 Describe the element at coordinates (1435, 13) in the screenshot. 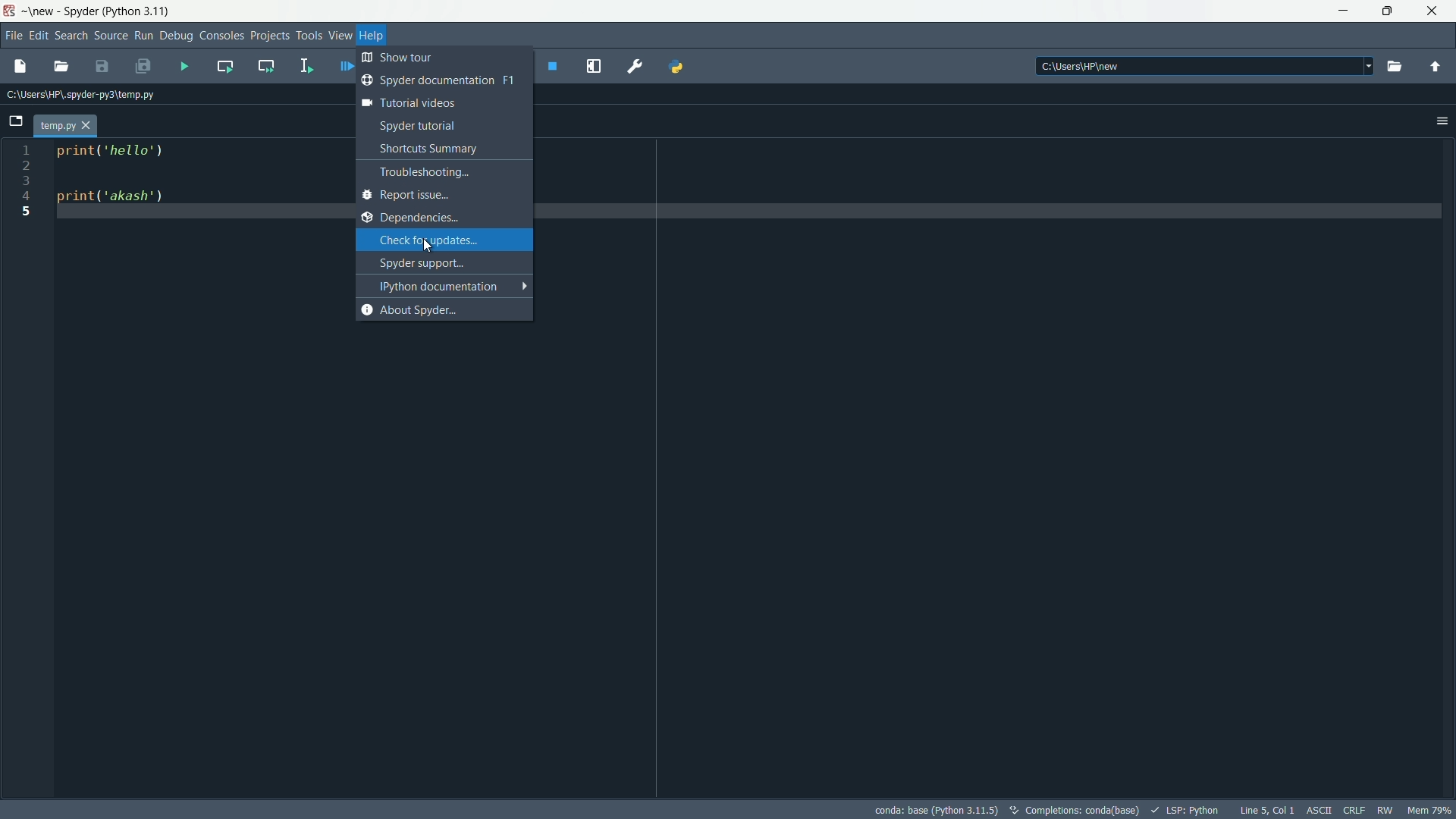

I see `close ` at that location.